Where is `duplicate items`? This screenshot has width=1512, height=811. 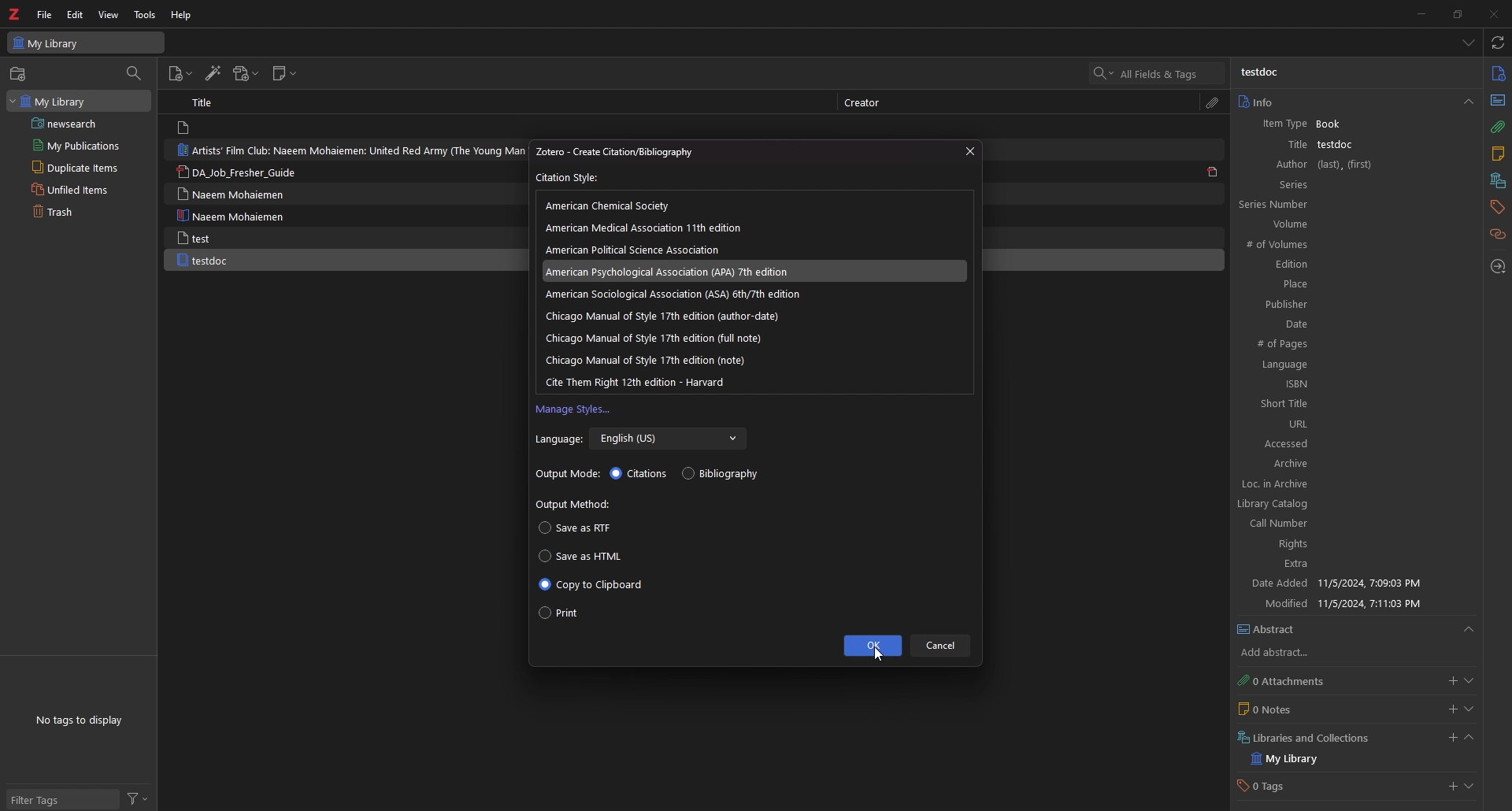 duplicate items is located at coordinates (72, 167).